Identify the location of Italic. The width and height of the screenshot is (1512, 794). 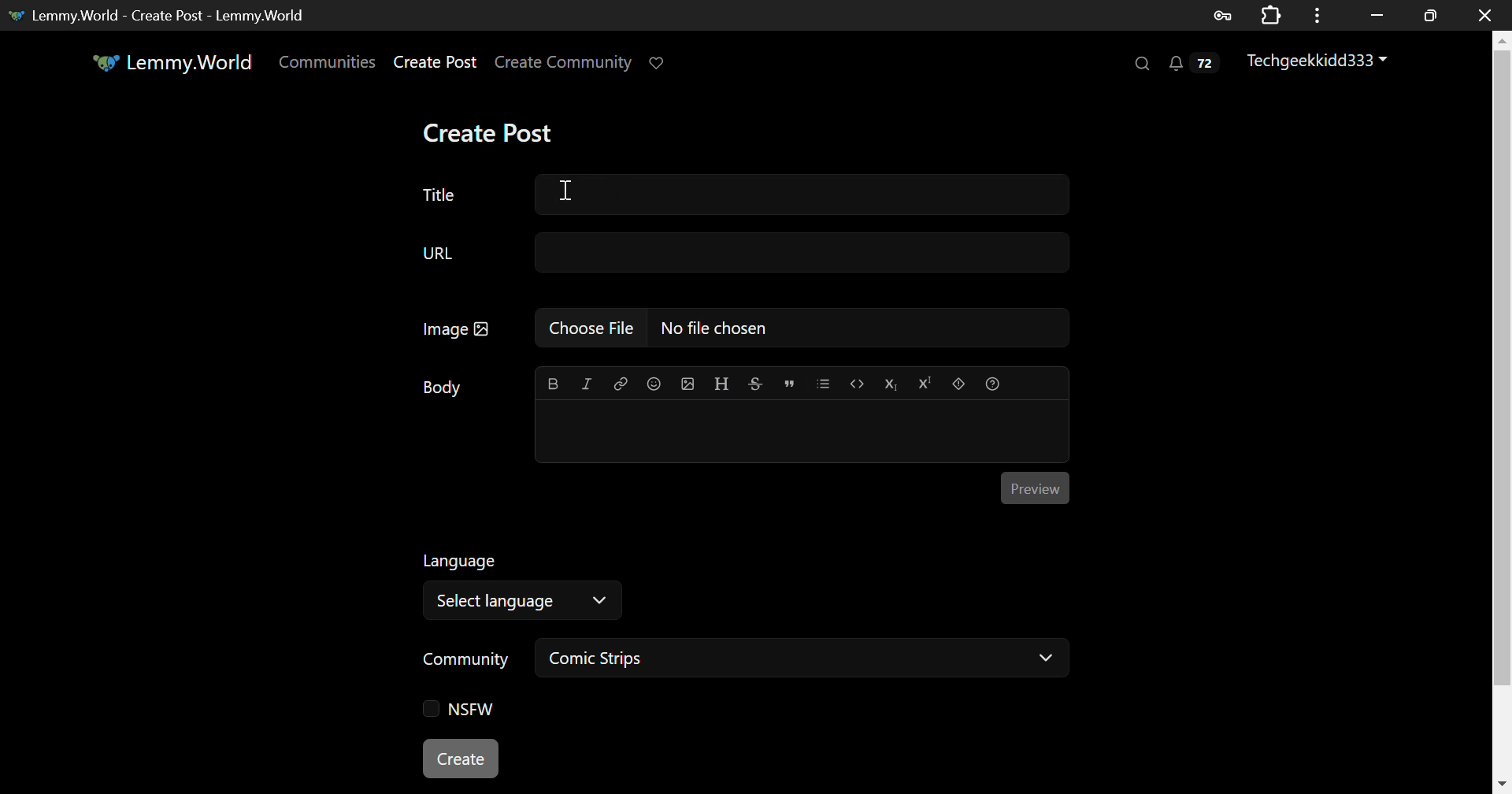
(587, 384).